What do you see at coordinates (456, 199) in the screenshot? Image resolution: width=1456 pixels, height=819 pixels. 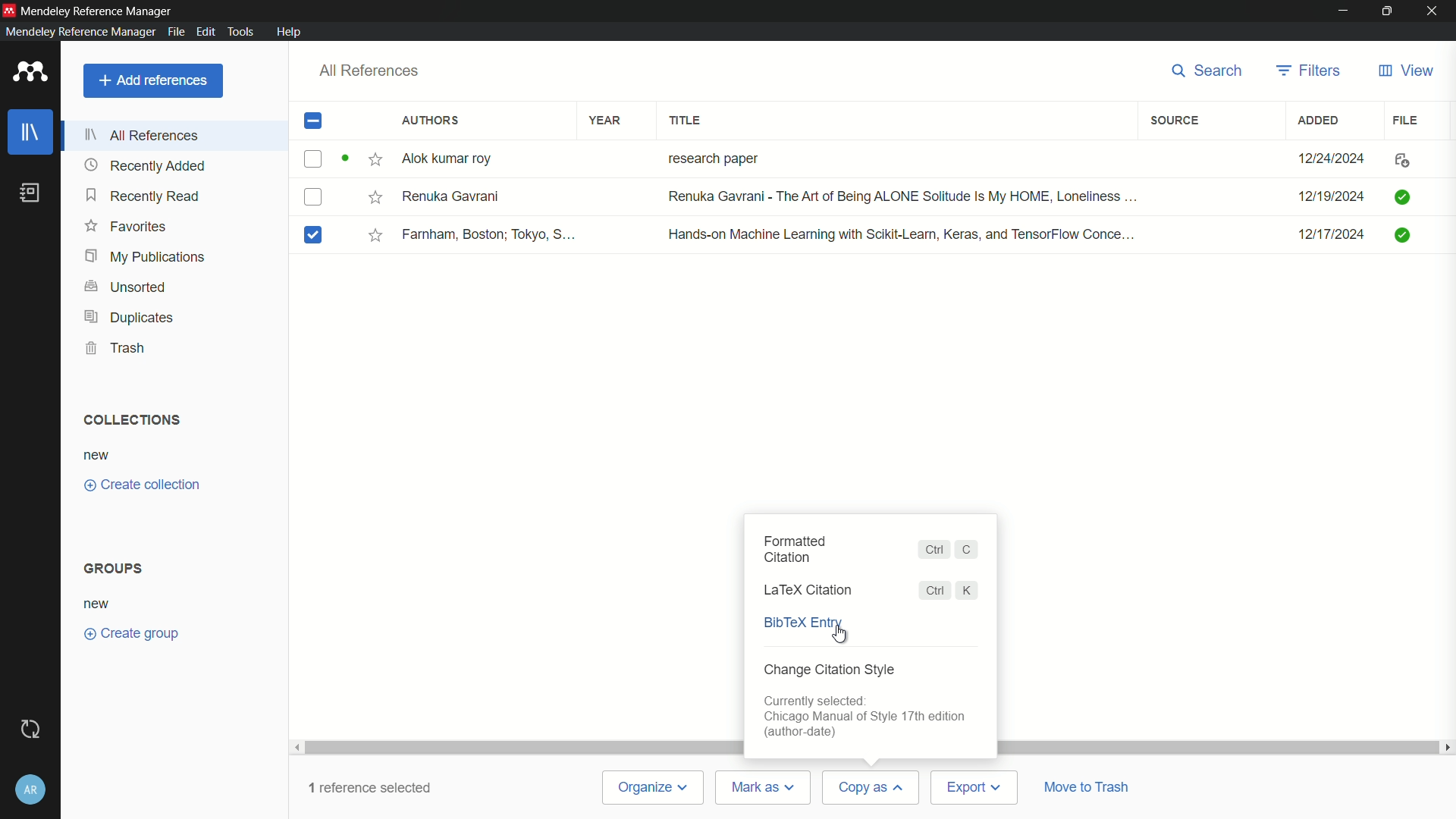 I see `Renuka Gavrani` at bounding box center [456, 199].